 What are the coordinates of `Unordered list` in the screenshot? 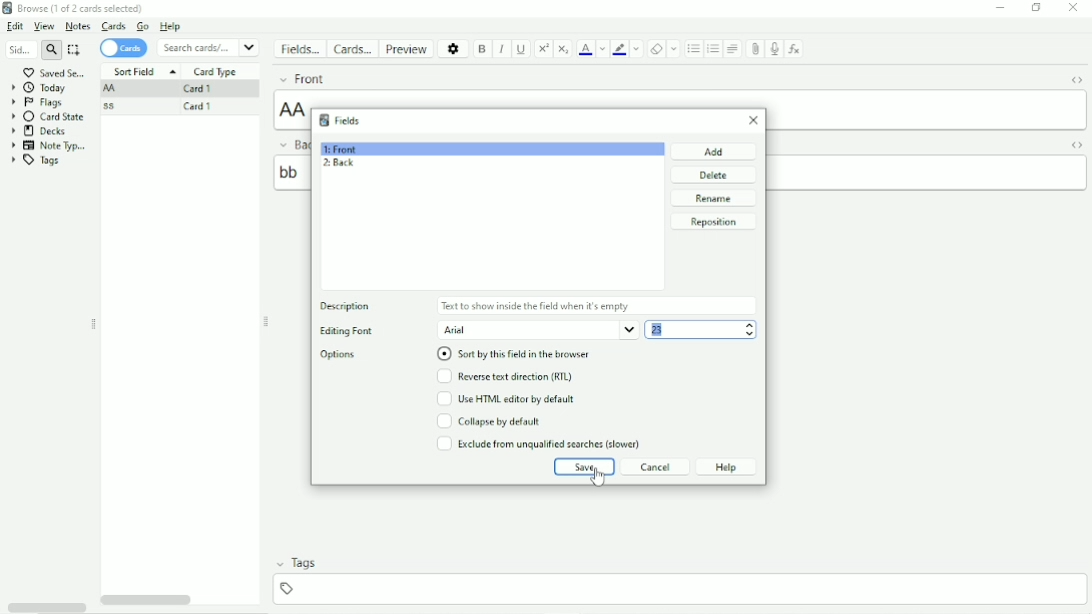 It's located at (693, 49).